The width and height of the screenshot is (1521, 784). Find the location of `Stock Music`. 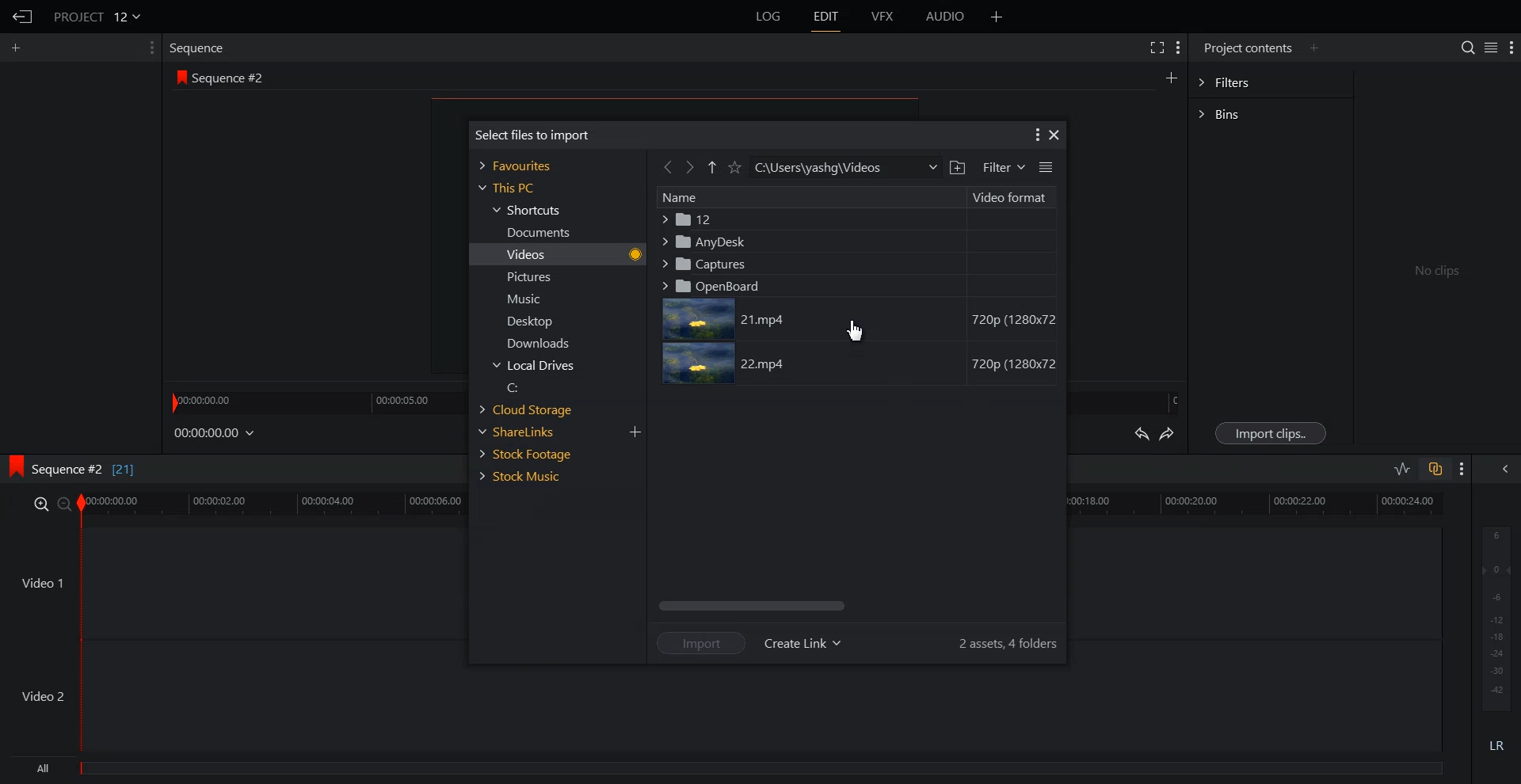

Stock Music is located at coordinates (532, 476).